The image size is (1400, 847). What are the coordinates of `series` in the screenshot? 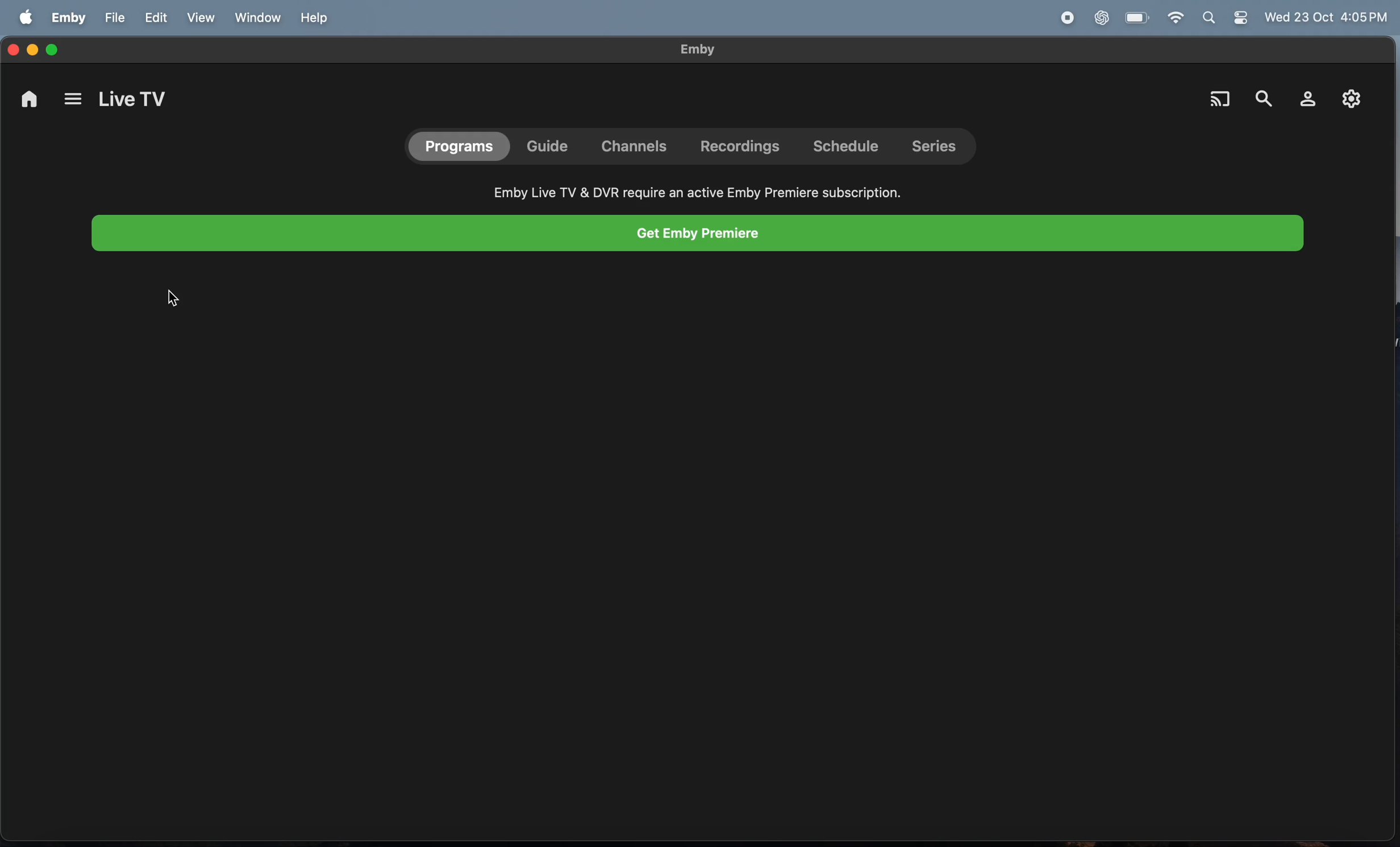 It's located at (940, 147).